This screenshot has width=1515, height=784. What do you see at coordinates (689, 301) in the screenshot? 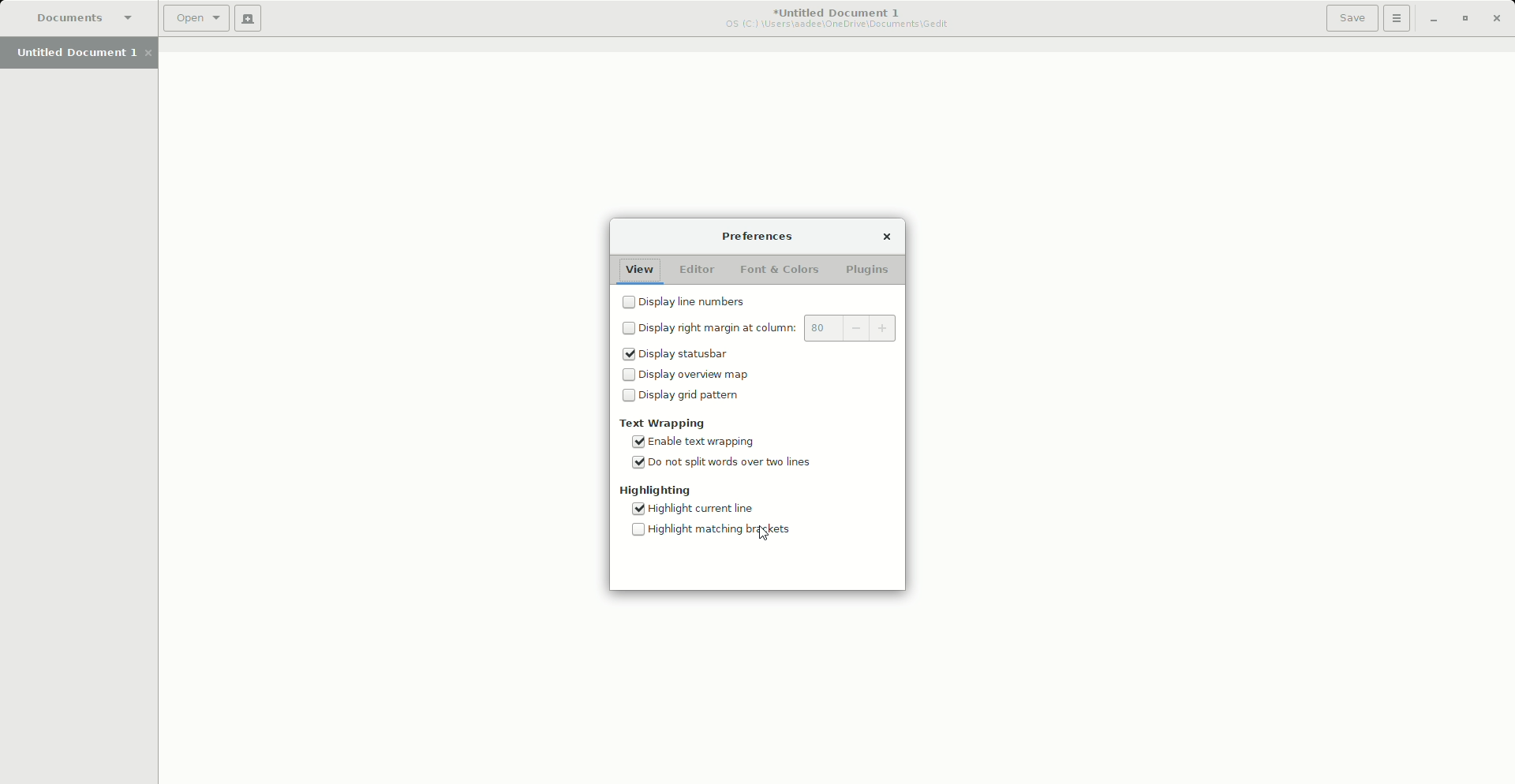
I see `Line numbers` at bounding box center [689, 301].